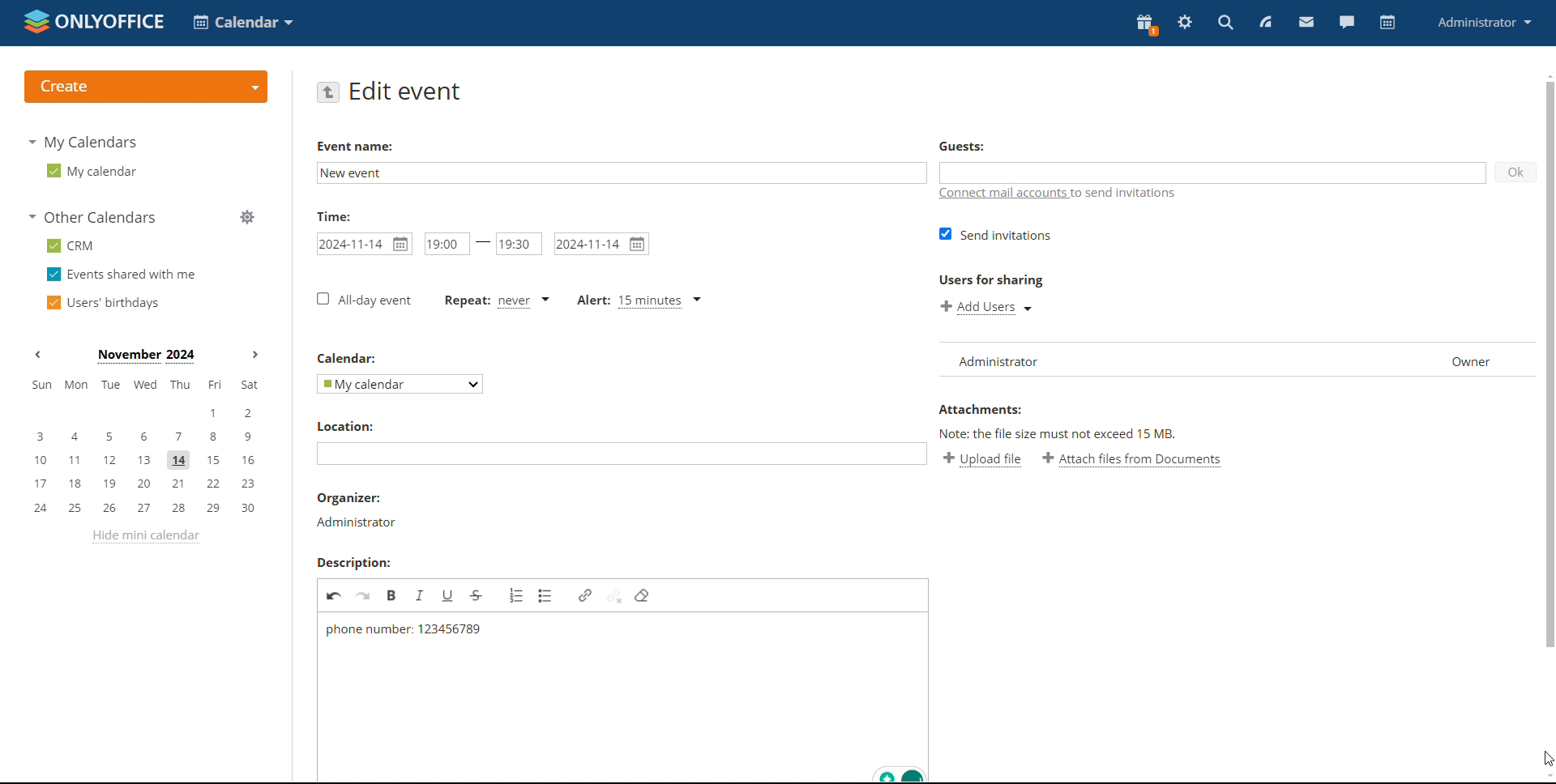  I want to click on attach file from documents, so click(1131, 460).